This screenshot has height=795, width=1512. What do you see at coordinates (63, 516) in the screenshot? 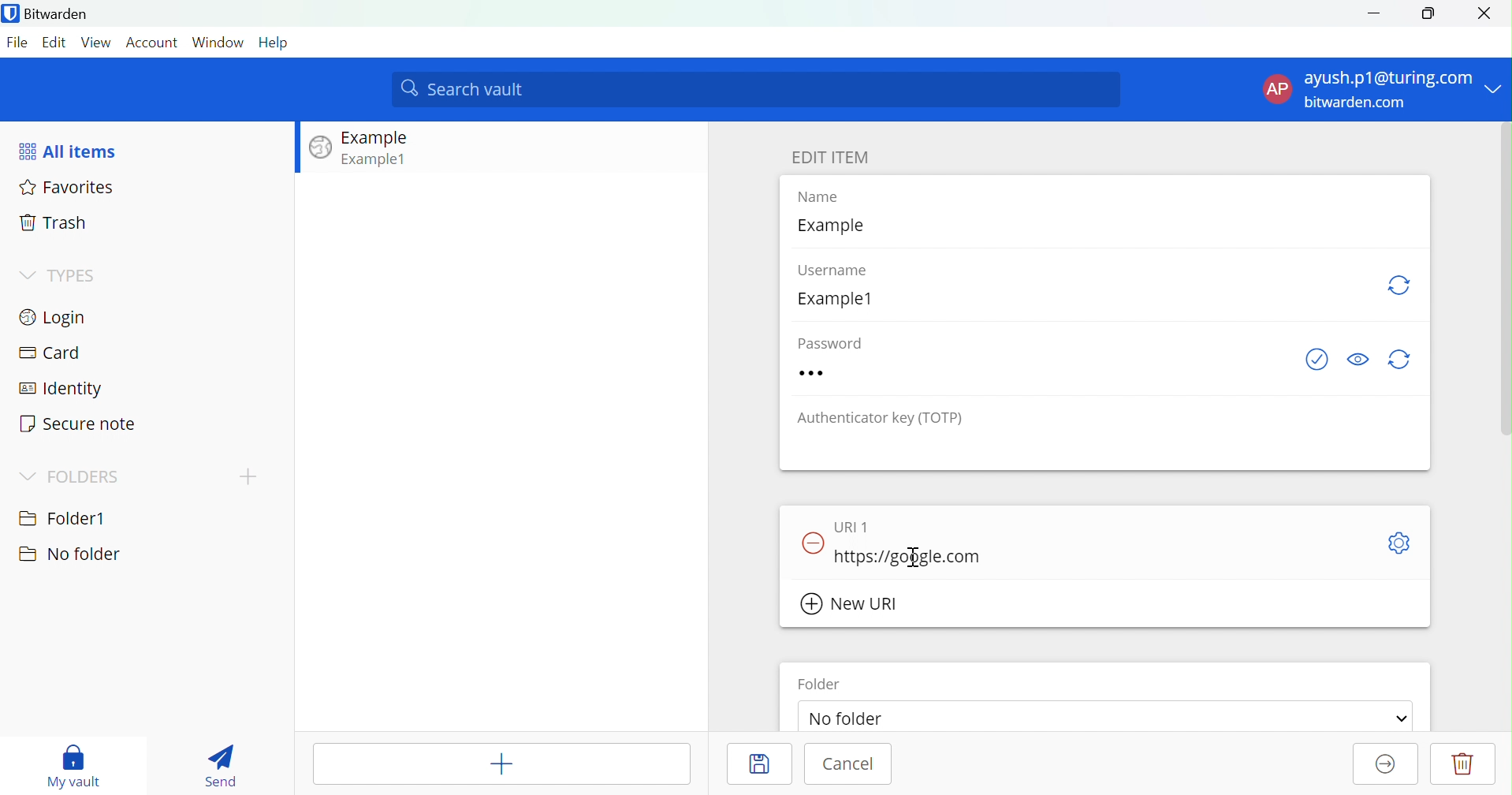
I see `Folder1` at bounding box center [63, 516].